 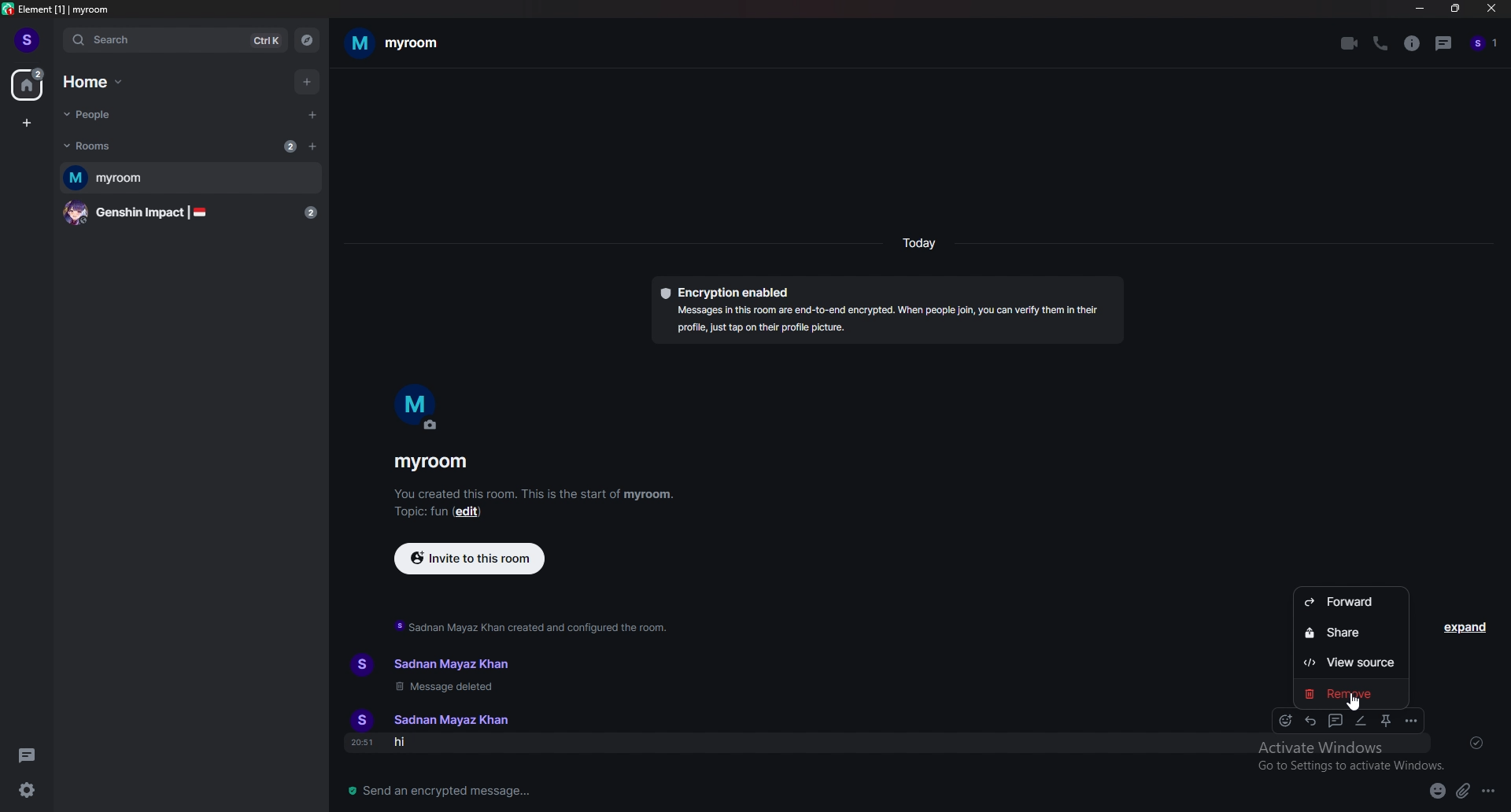 What do you see at coordinates (27, 790) in the screenshot?
I see `settings` at bounding box center [27, 790].